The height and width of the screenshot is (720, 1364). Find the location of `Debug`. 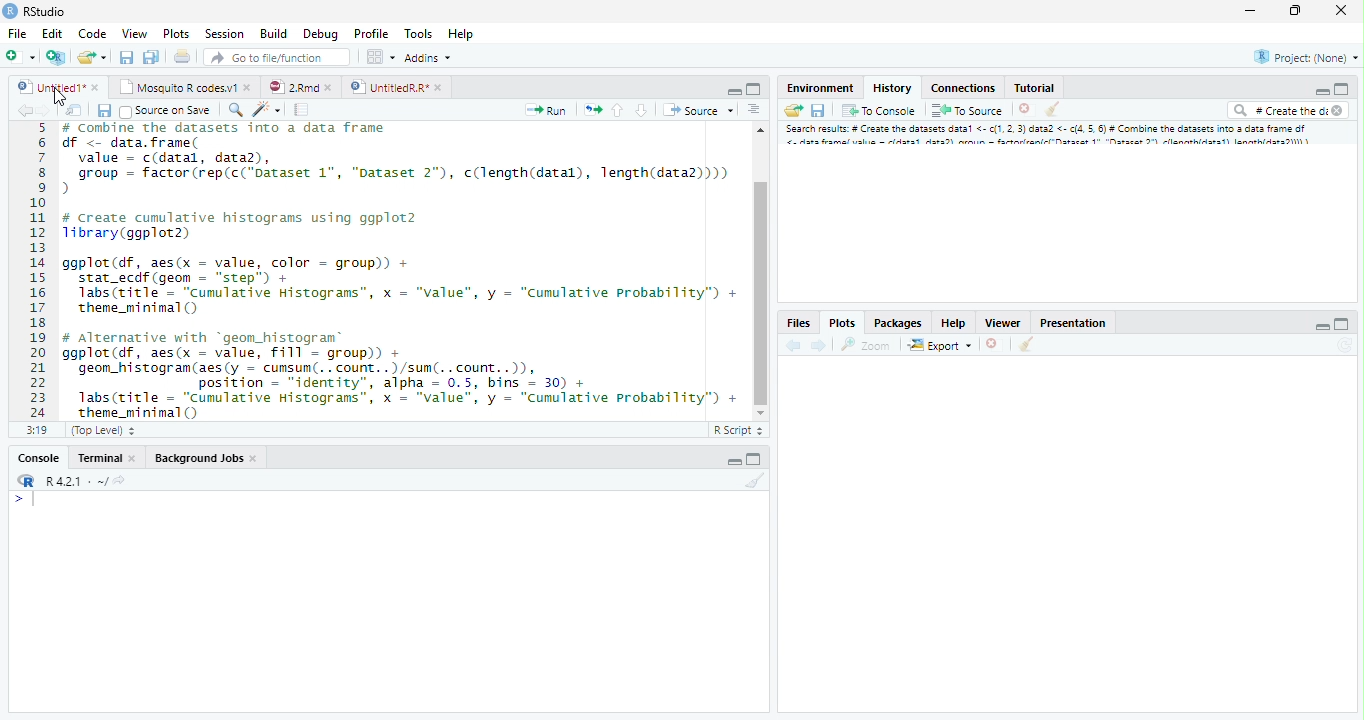

Debug is located at coordinates (348, 34).